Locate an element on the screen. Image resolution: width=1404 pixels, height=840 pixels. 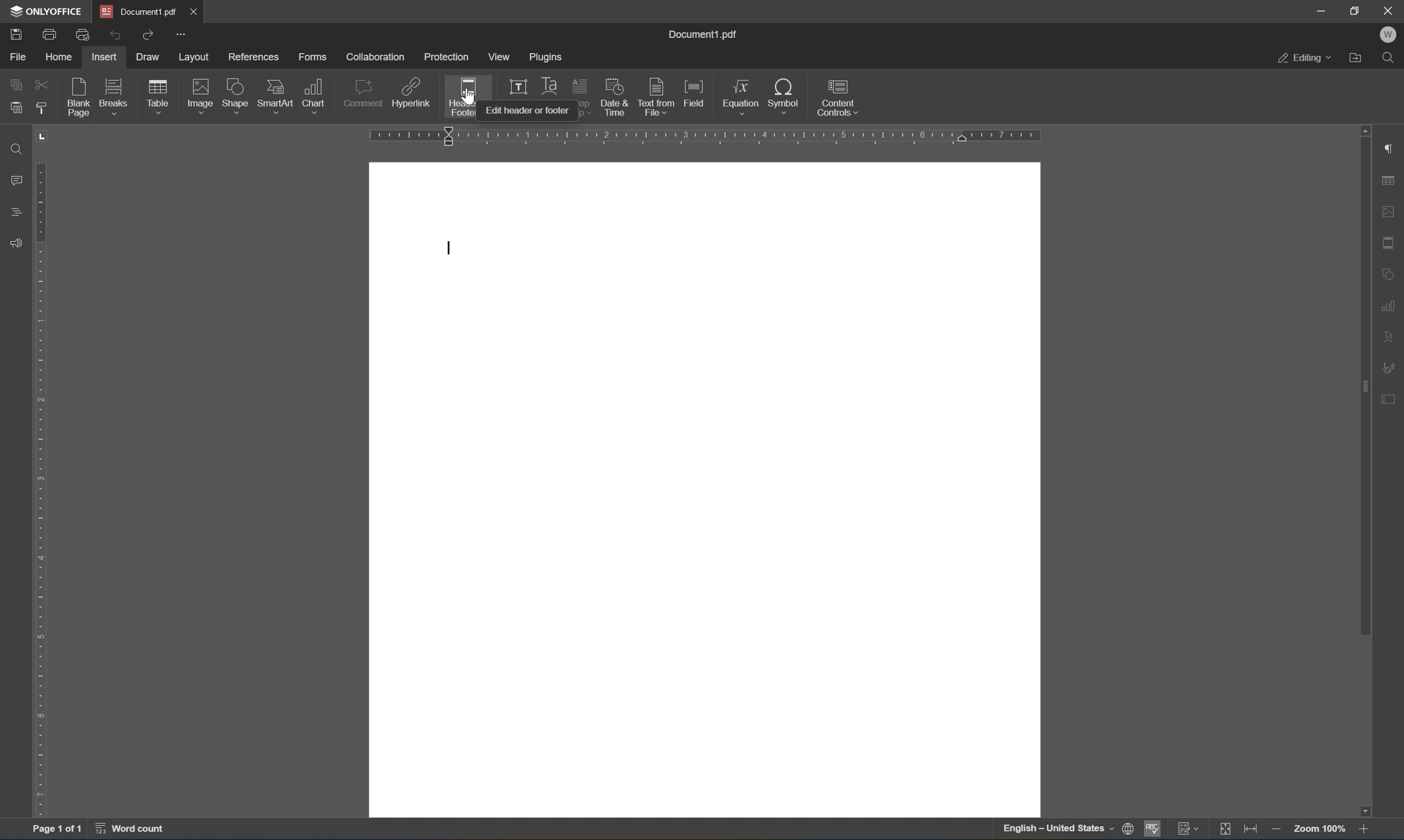
references is located at coordinates (251, 59).